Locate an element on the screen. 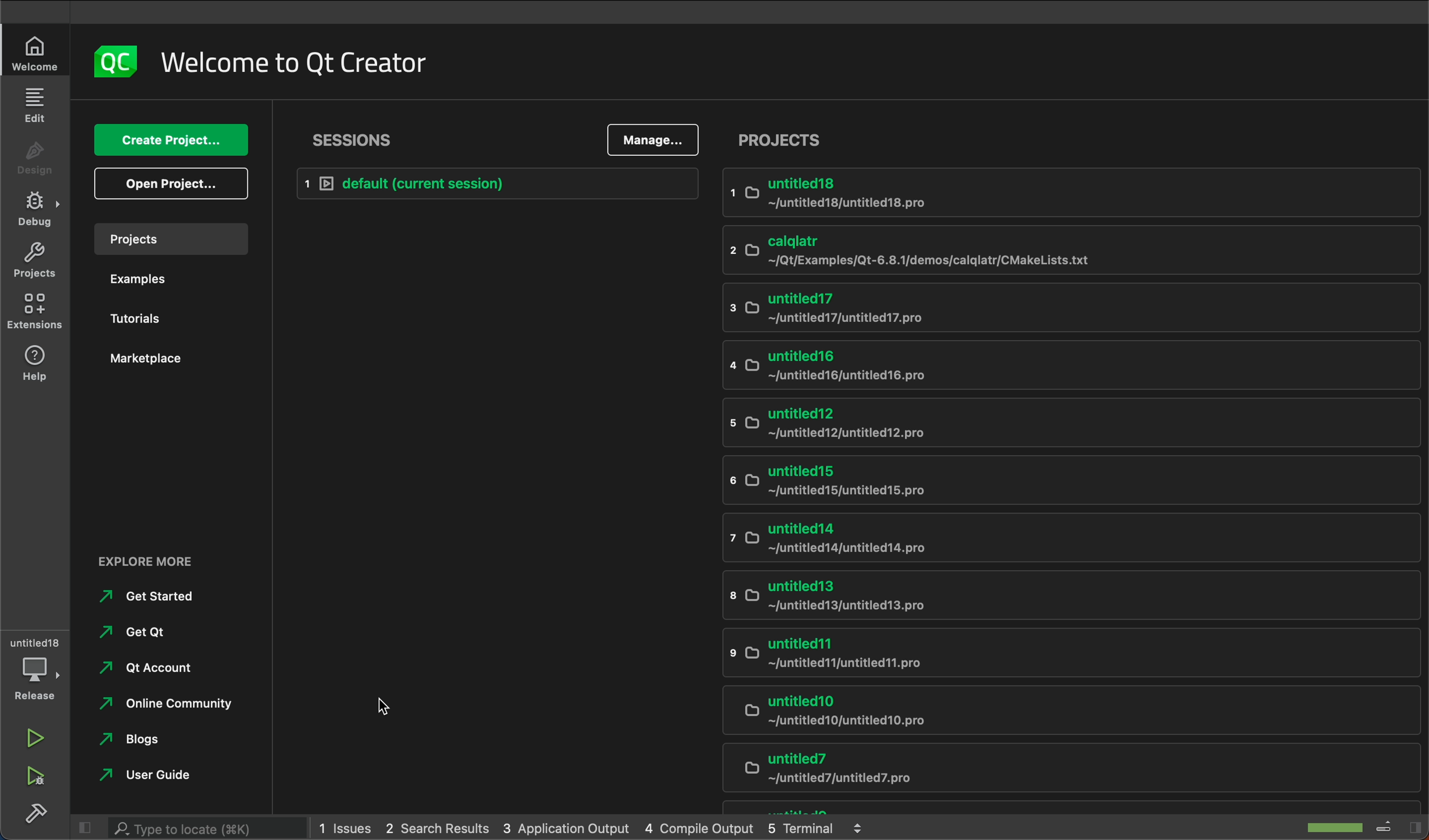  build scanning is located at coordinates (1325, 825).